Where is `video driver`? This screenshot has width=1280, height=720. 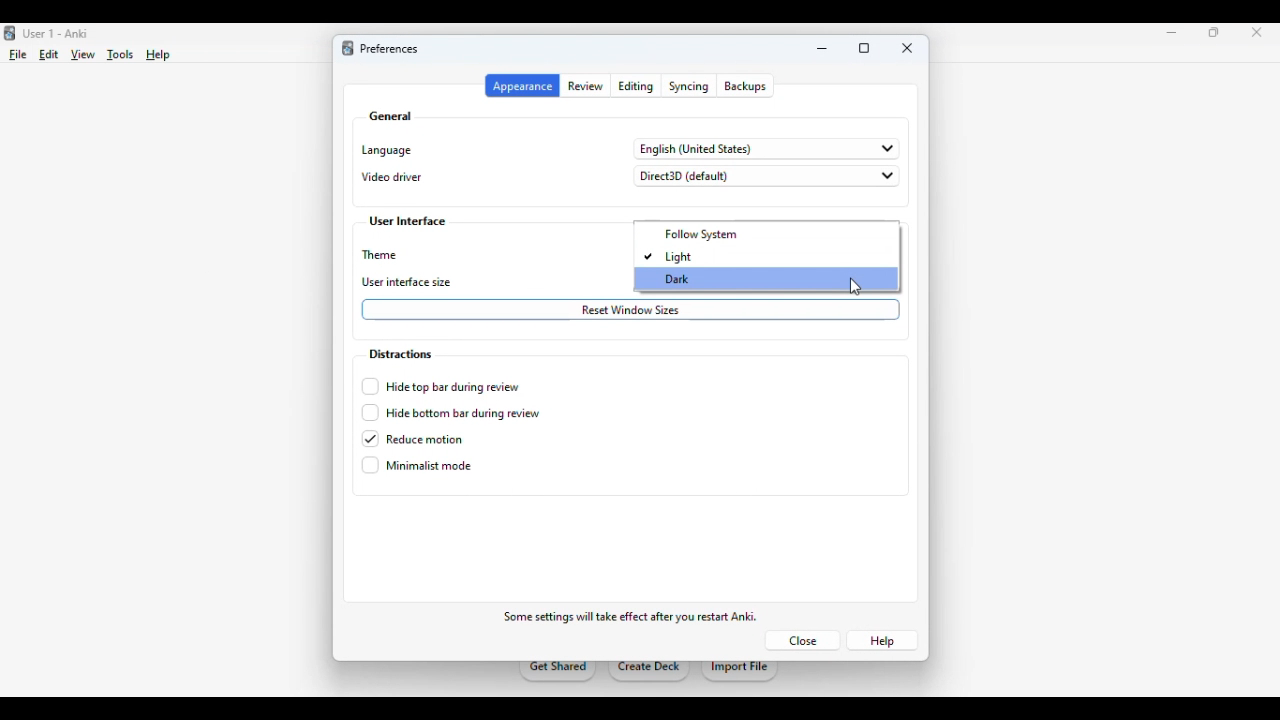 video driver is located at coordinates (392, 177).